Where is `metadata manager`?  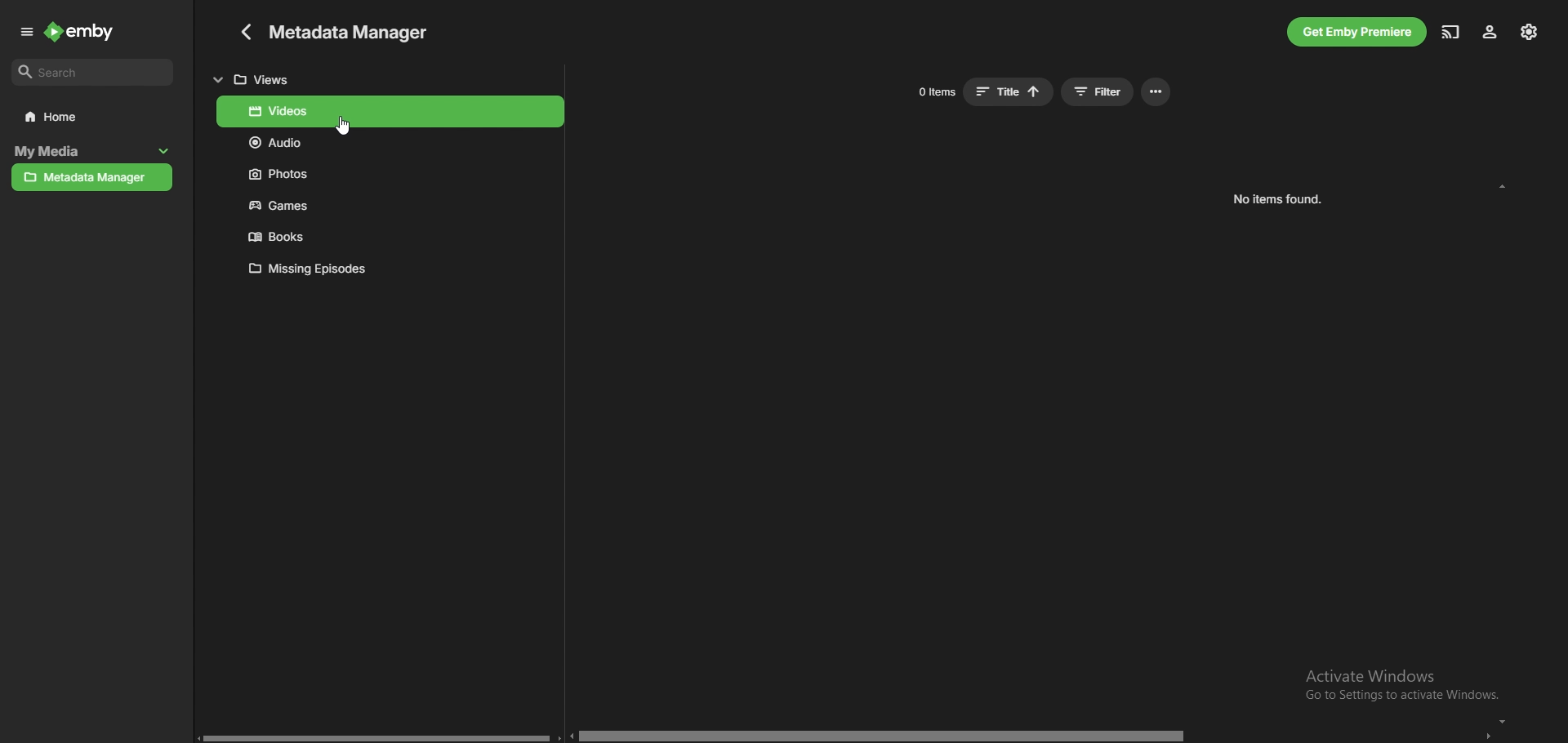 metadata manager is located at coordinates (92, 178).